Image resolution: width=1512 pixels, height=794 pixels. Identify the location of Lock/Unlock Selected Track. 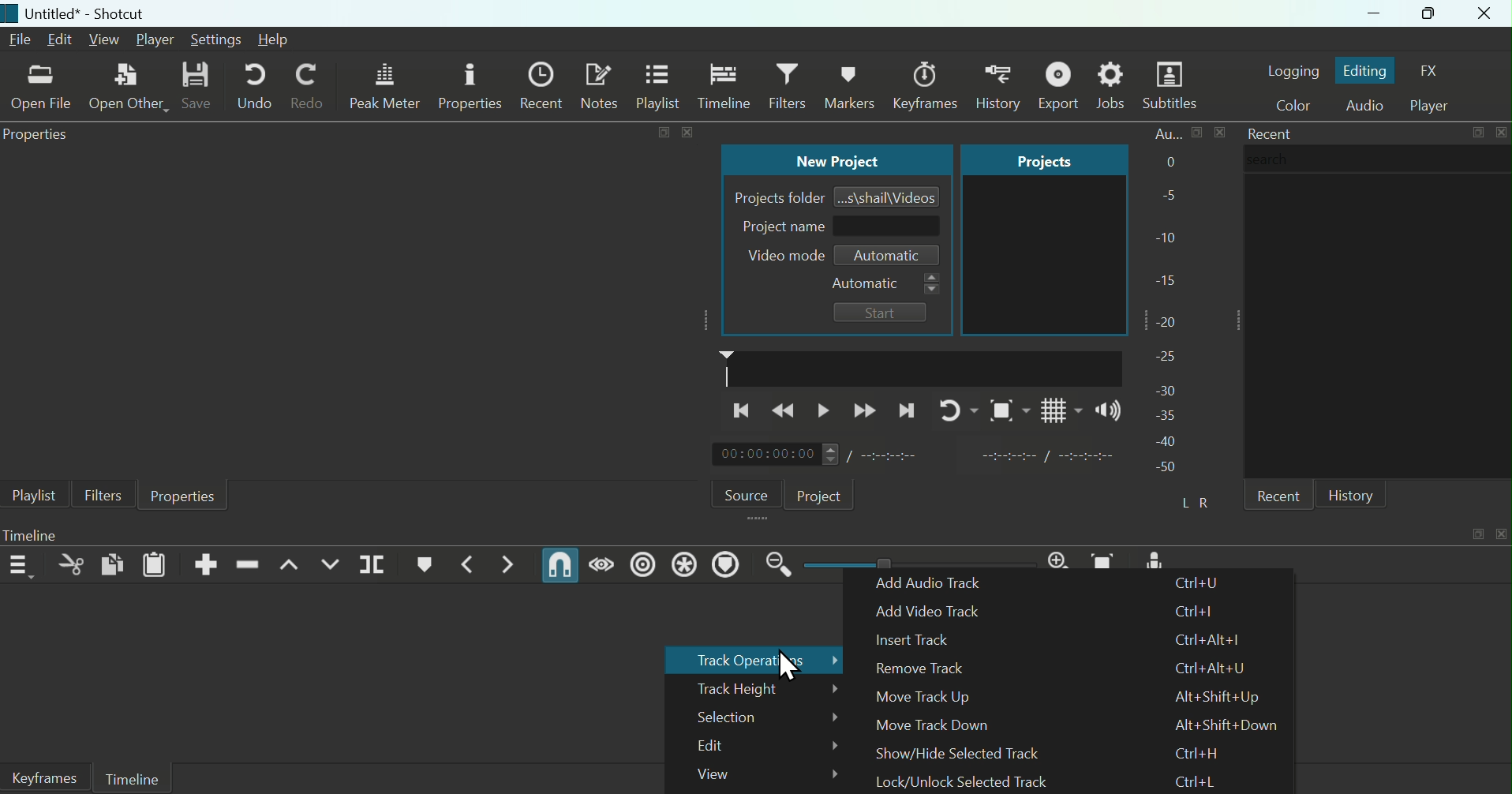
(979, 781).